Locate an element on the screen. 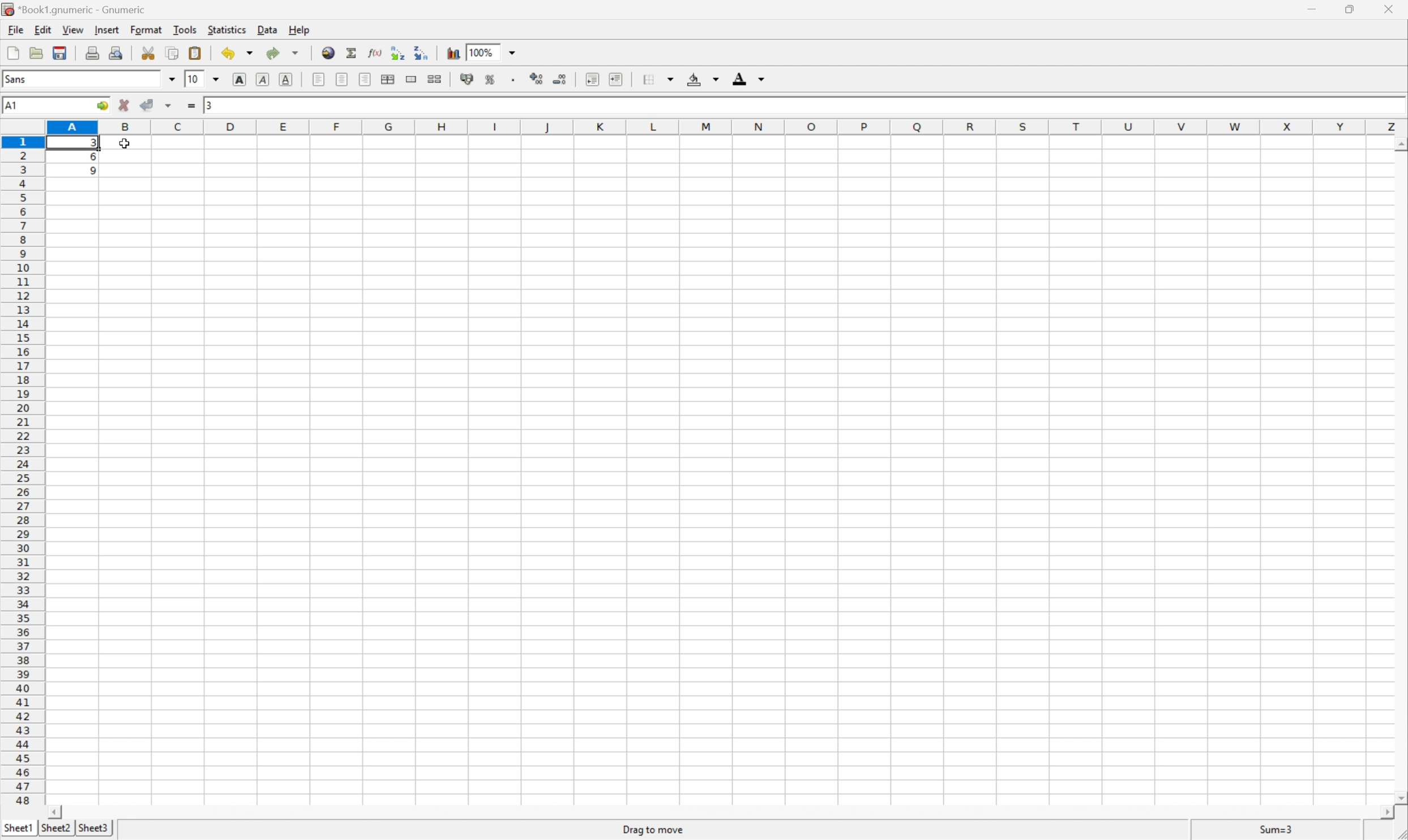 This screenshot has height=840, width=1408. Cursor is located at coordinates (126, 144).